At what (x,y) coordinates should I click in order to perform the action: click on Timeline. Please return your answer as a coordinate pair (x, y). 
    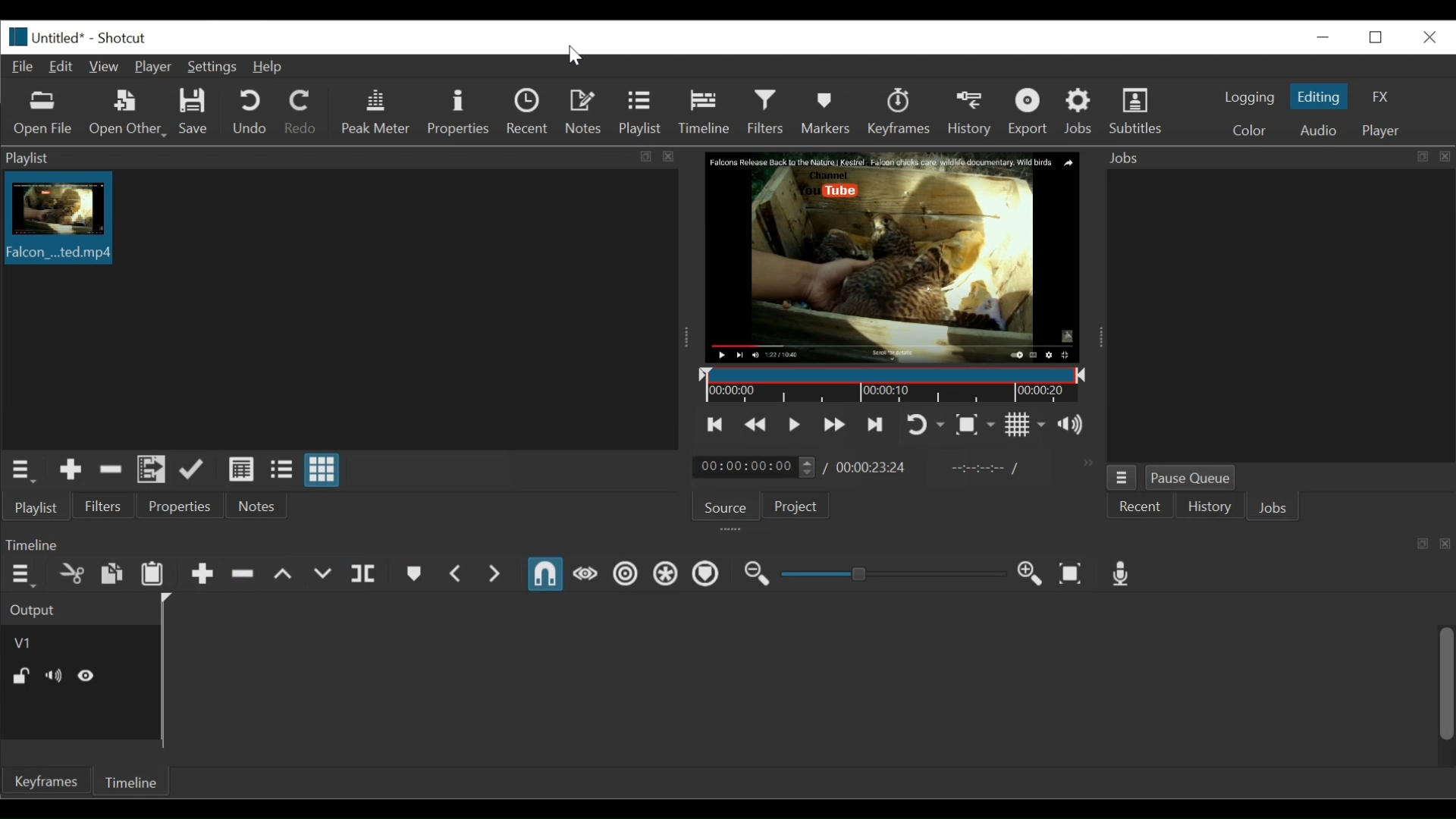
    Looking at the image, I should click on (708, 111).